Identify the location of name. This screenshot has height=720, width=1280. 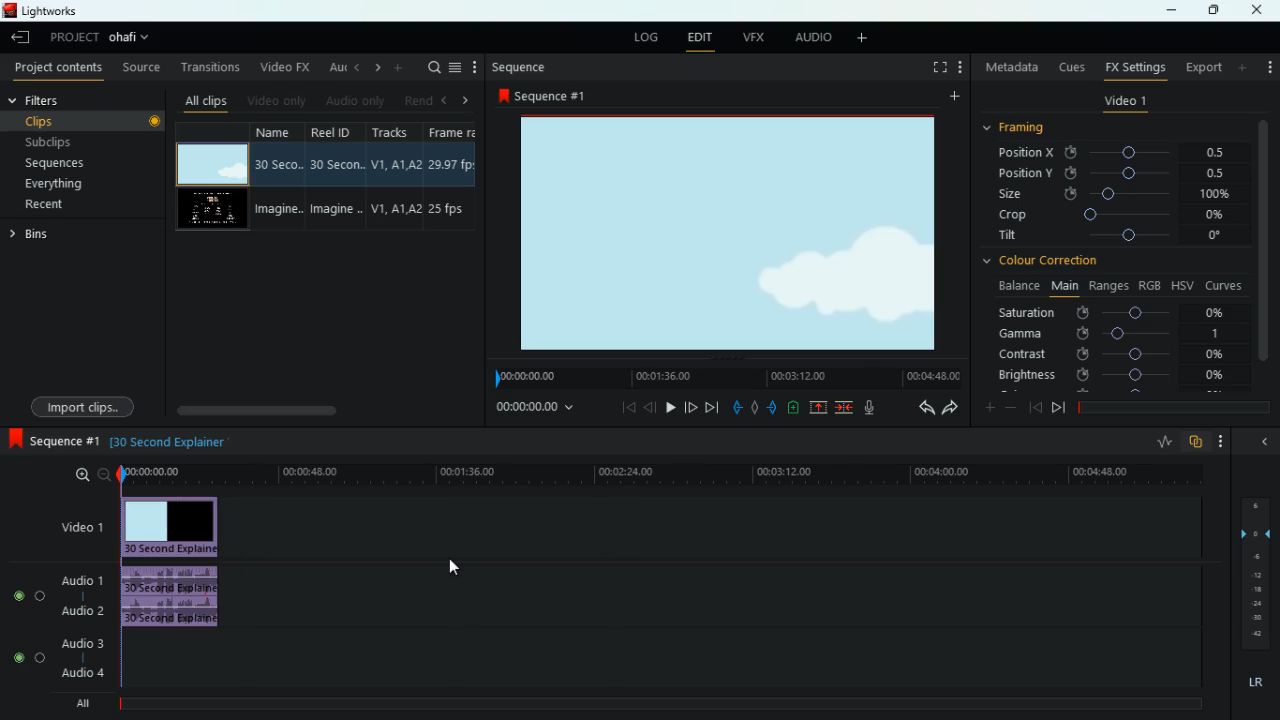
(281, 134).